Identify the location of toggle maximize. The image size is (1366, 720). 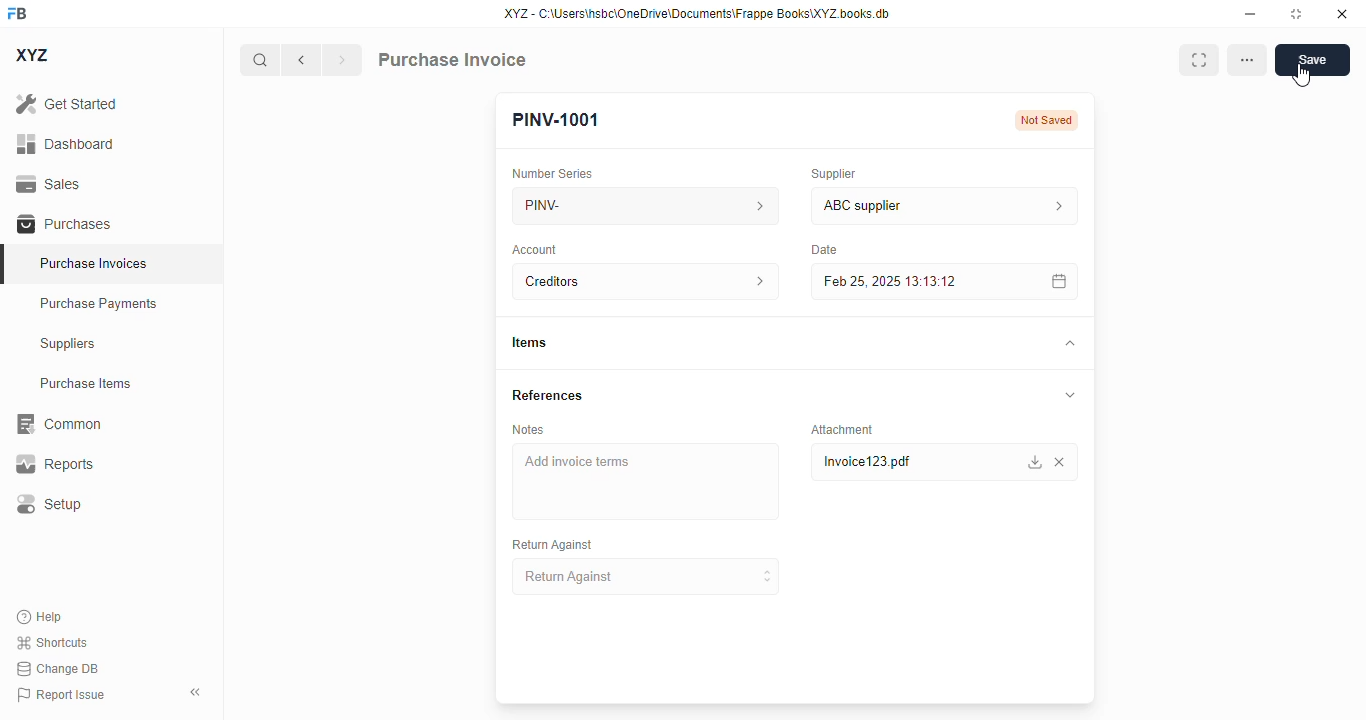
(1295, 13).